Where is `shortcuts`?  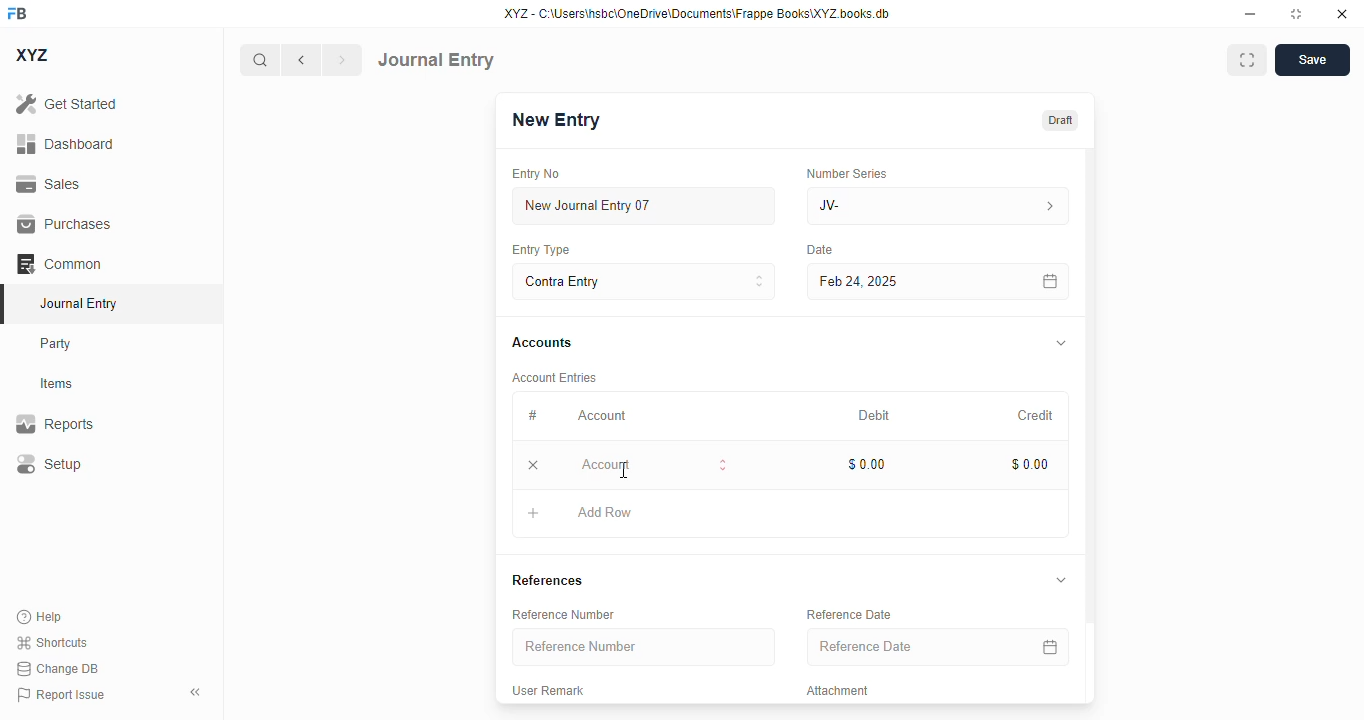 shortcuts is located at coordinates (52, 642).